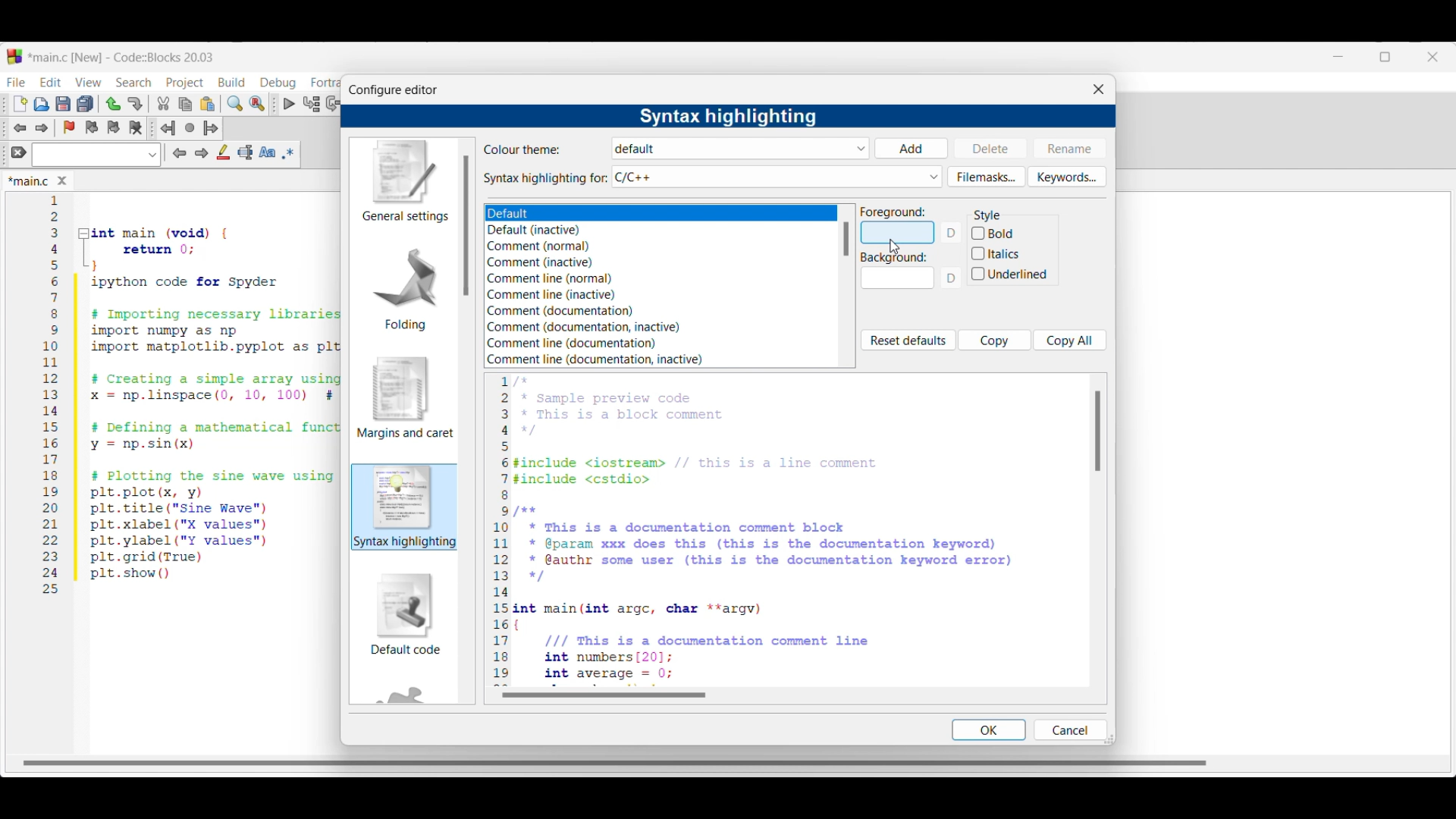 This screenshot has height=819, width=1456. Describe the element at coordinates (325, 83) in the screenshot. I see `Fortran menu ` at that location.